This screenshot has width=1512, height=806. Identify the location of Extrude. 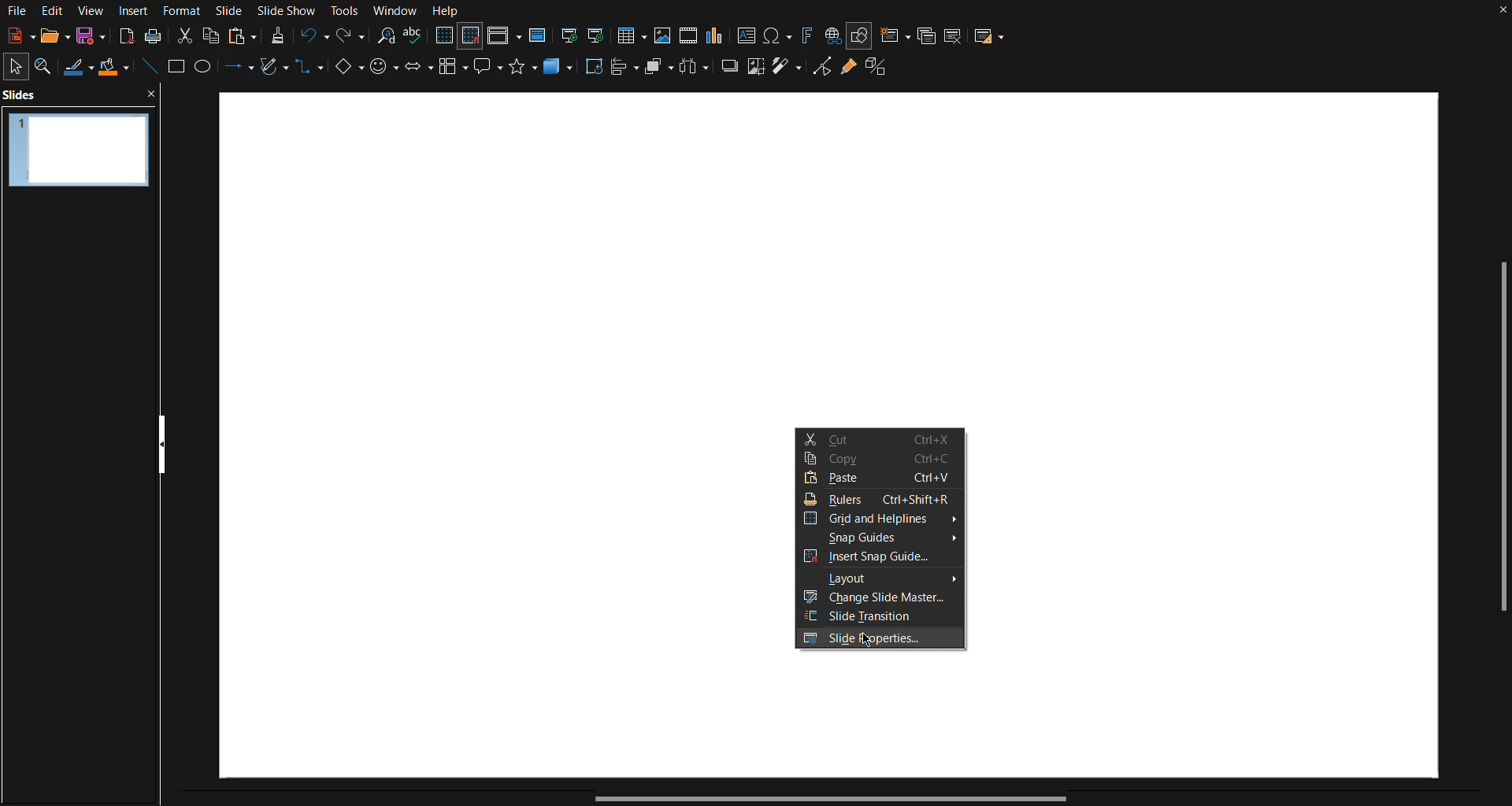
(882, 72).